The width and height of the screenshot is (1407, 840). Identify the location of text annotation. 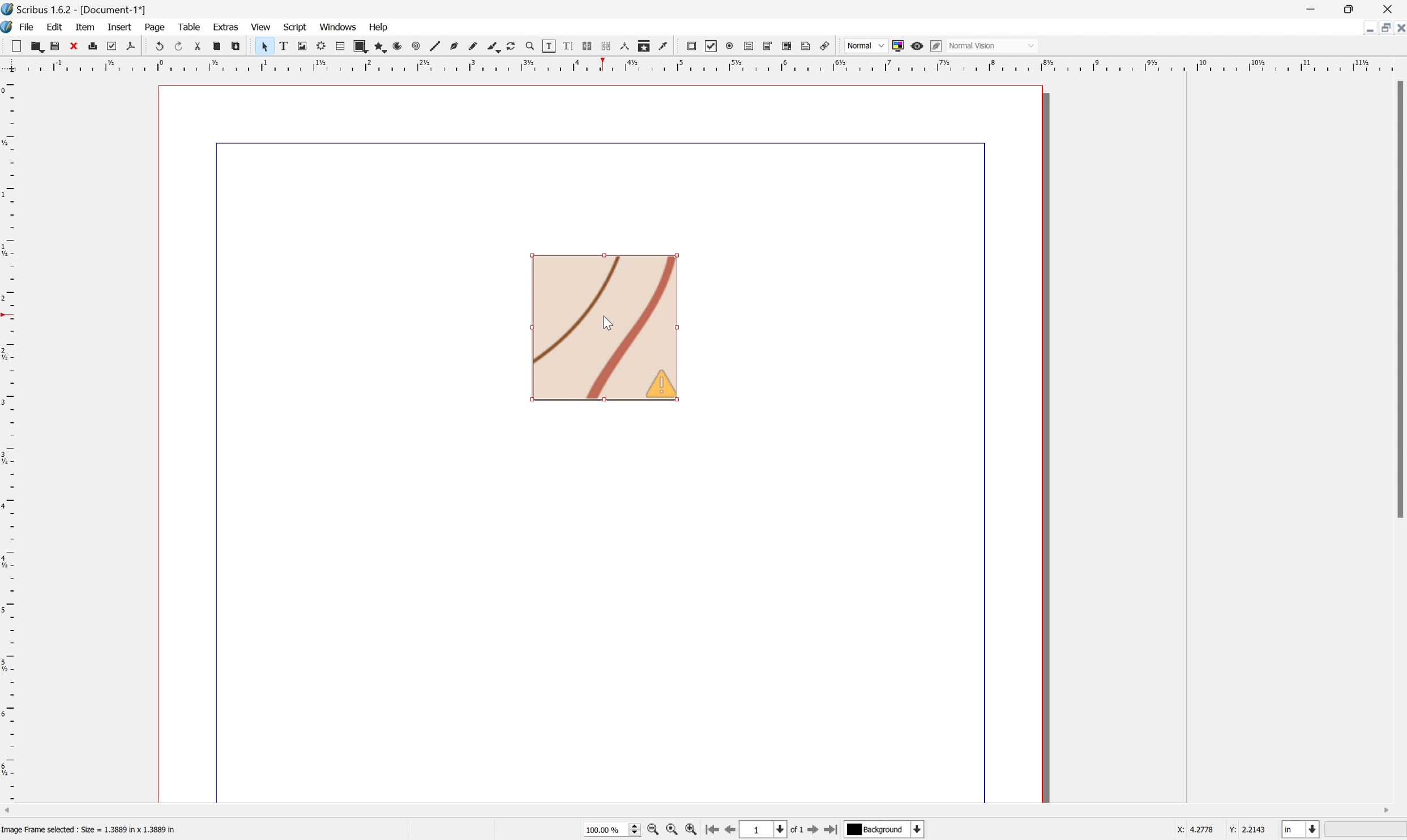
(807, 46).